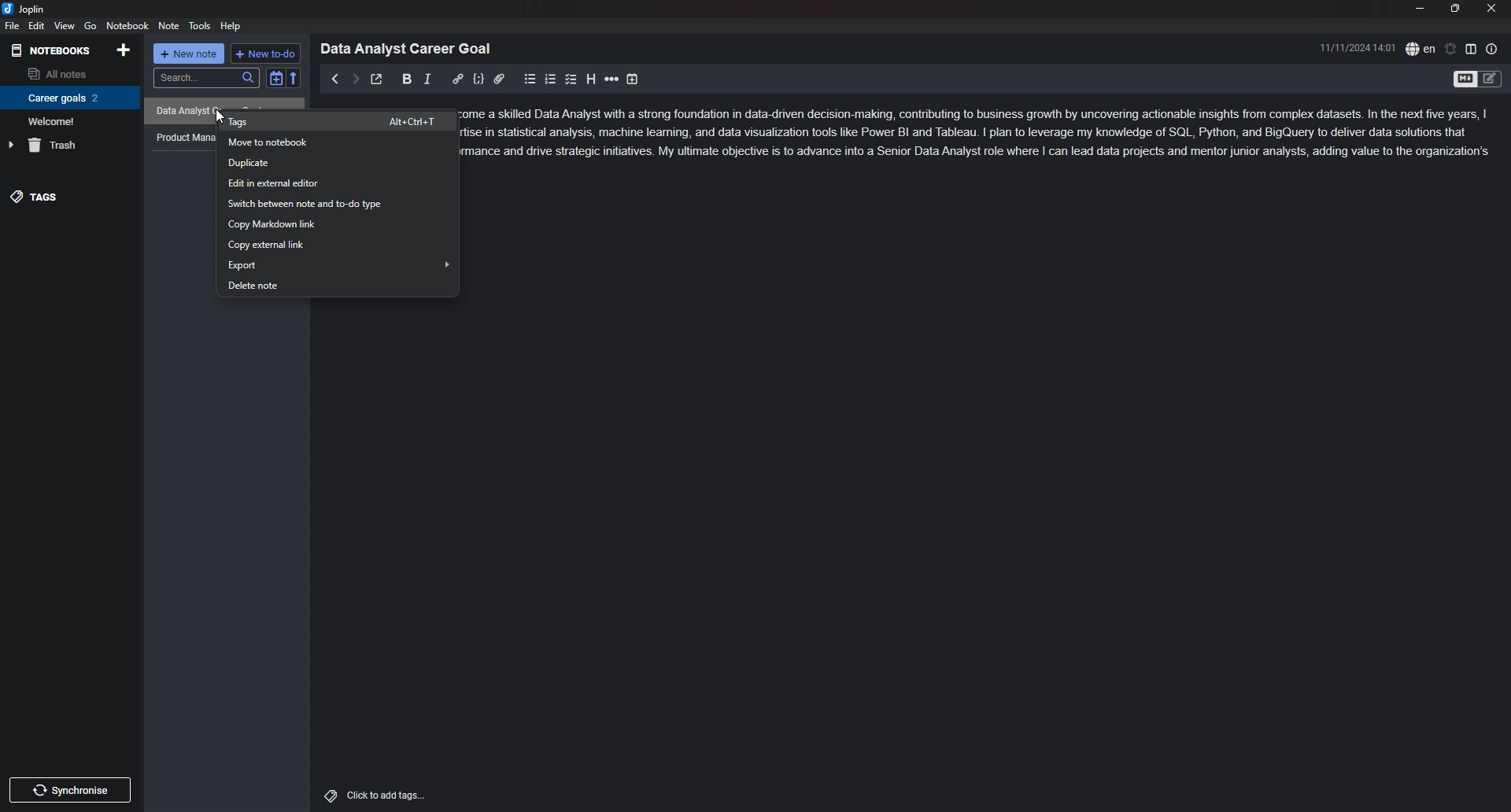 The height and width of the screenshot is (812, 1511). Describe the element at coordinates (220, 120) in the screenshot. I see `Cursor` at that location.